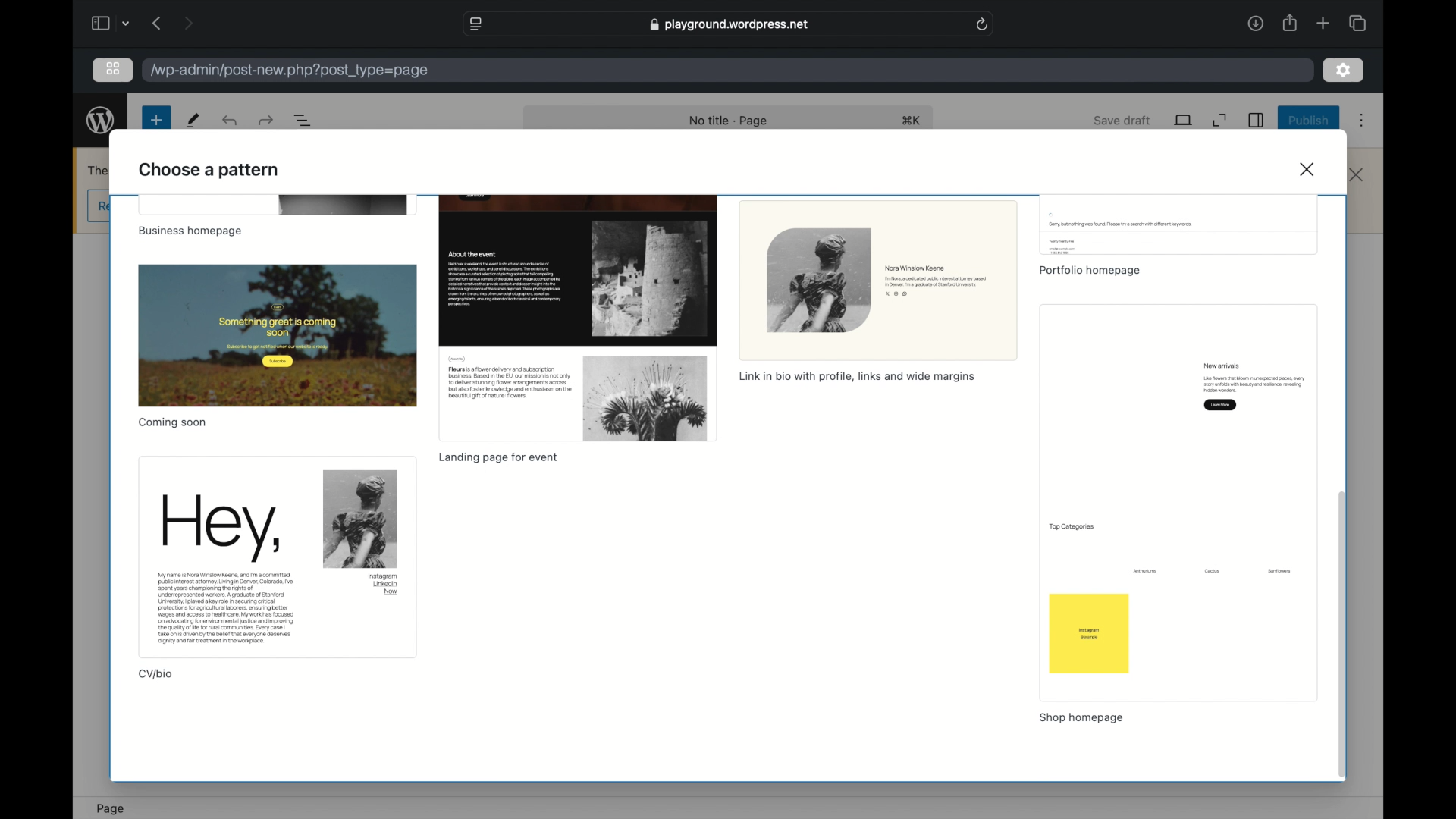 This screenshot has width=1456, height=819. Describe the element at coordinates (1255, 23) in the screenshot. I see `downloads` at that location.